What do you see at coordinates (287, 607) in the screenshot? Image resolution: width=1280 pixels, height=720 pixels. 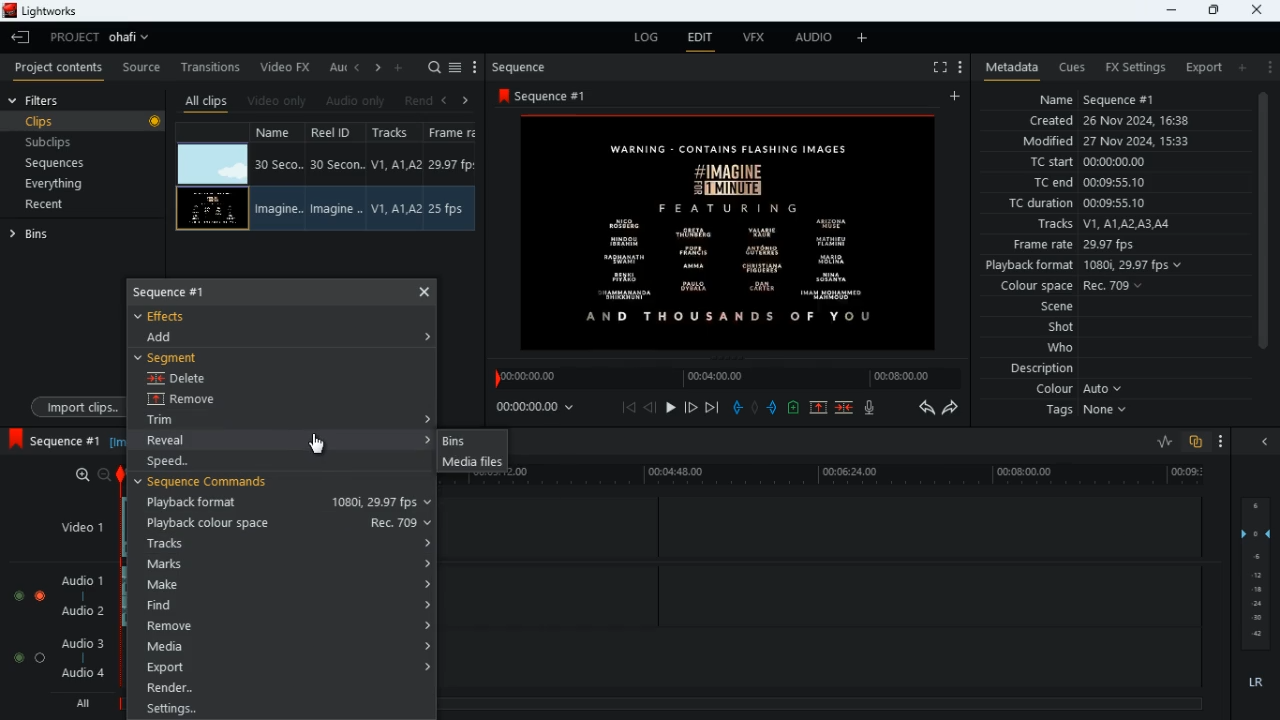 I see `find` at bounding box center [287, 607].